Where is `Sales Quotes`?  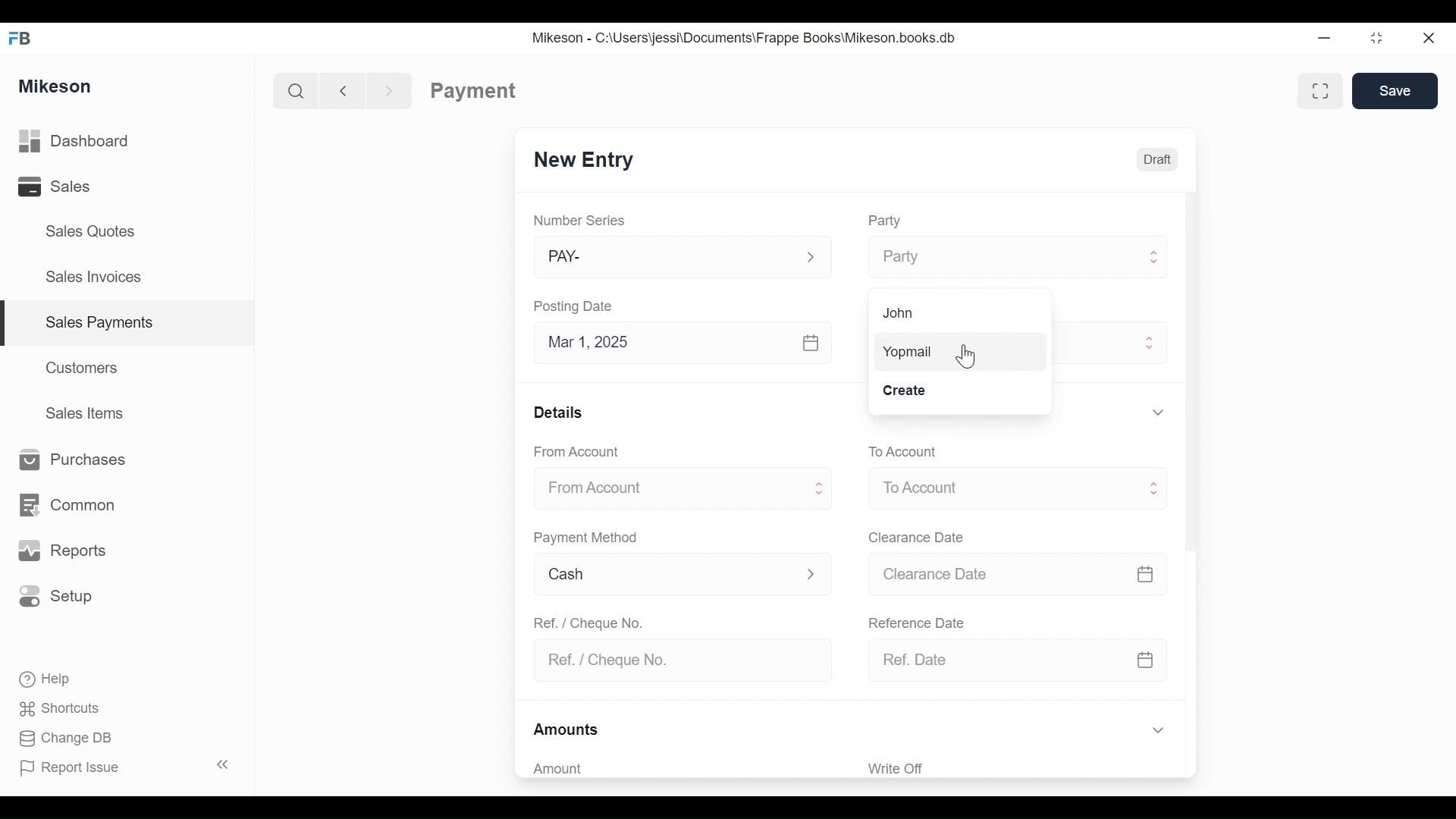
Sales Quotes is located at coordinates (83, 231).